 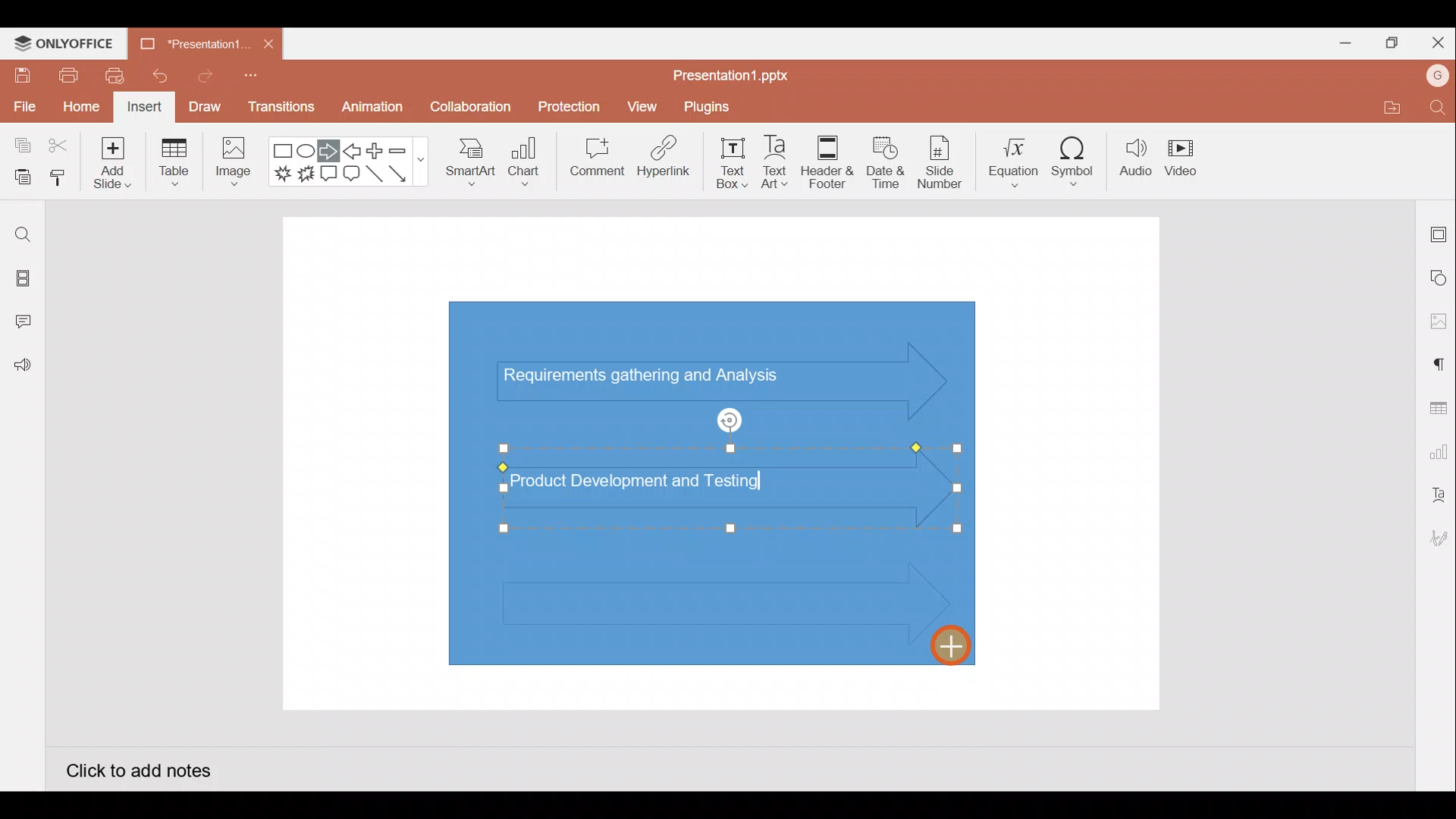 I want to click on Feedback and Support, so click(x=22, y=369).